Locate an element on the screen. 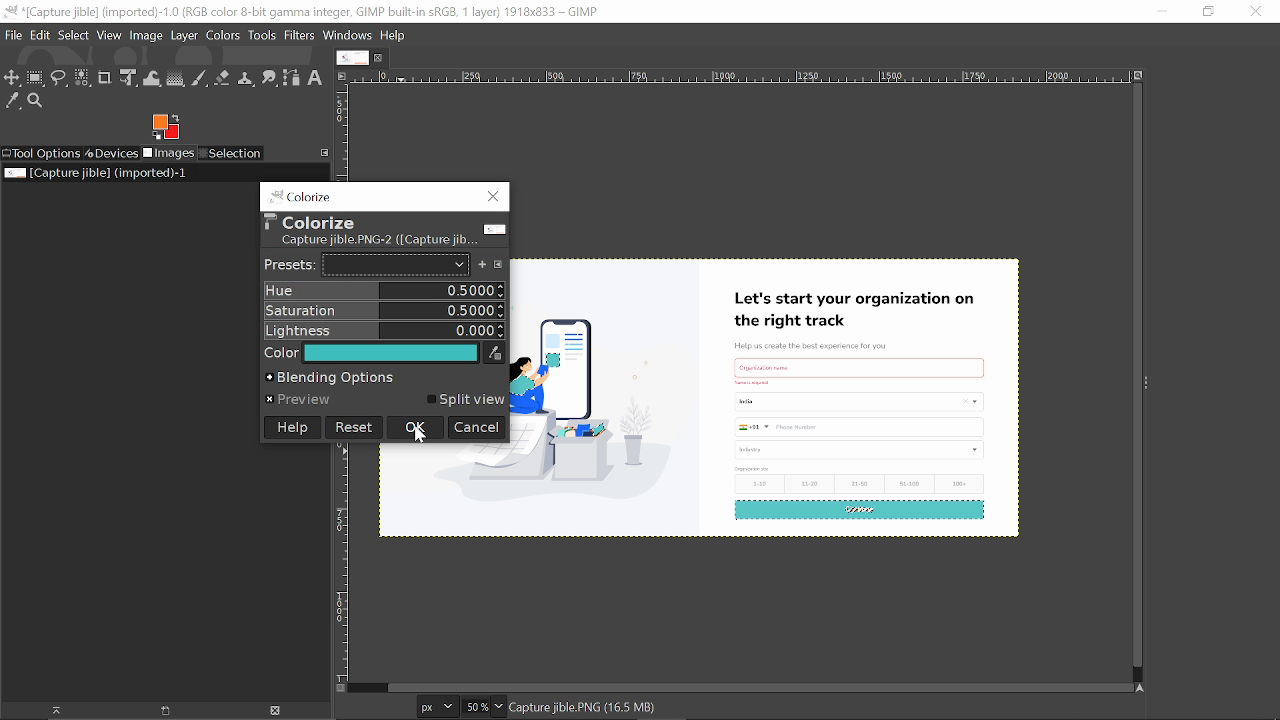  Path tool is located at coordinates (291, 78).